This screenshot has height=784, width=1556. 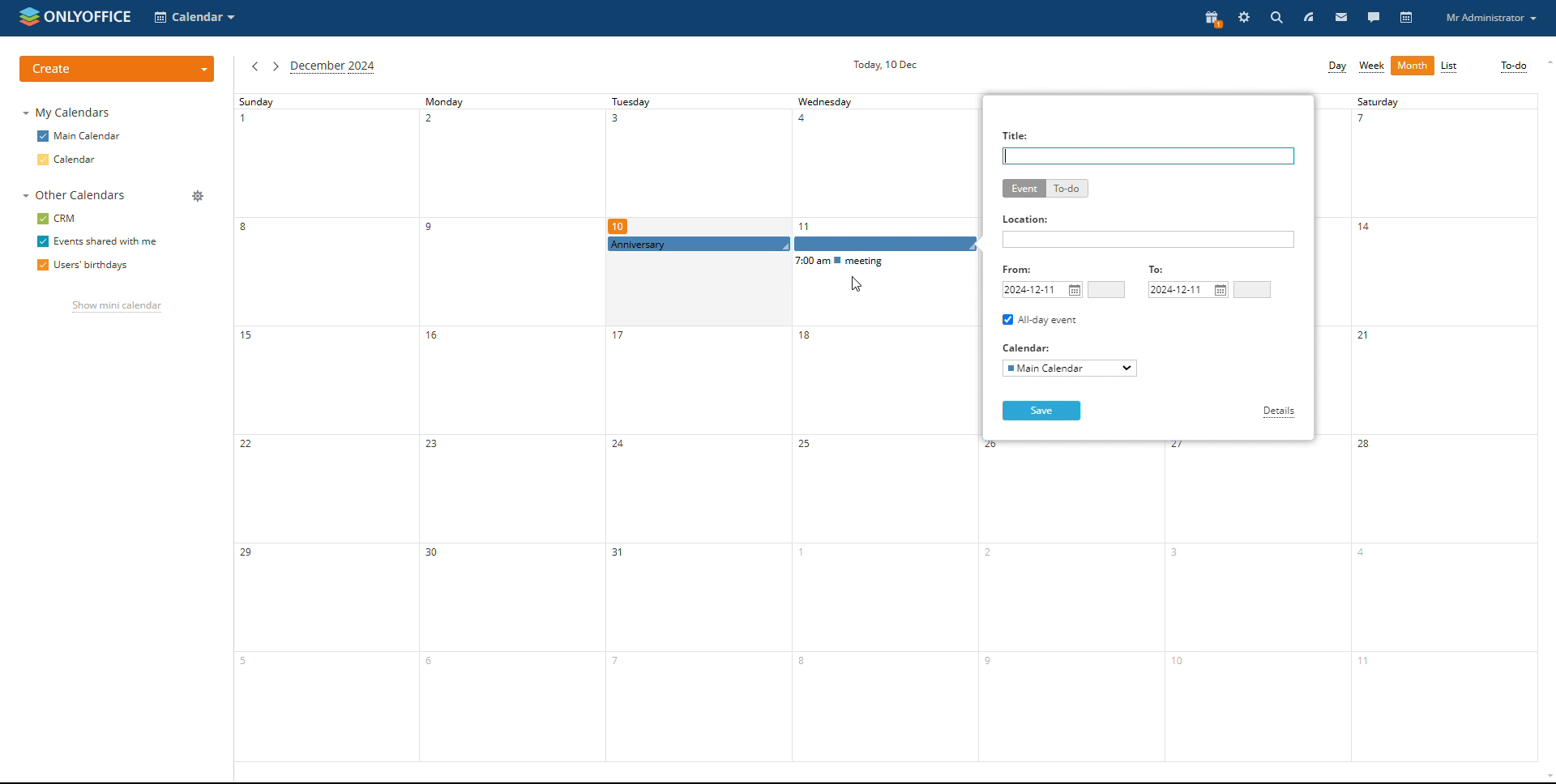 What do you see at coordinates (1513, 67) in the screenshot?
I see `to-do` at bounding box center [1513, 67].